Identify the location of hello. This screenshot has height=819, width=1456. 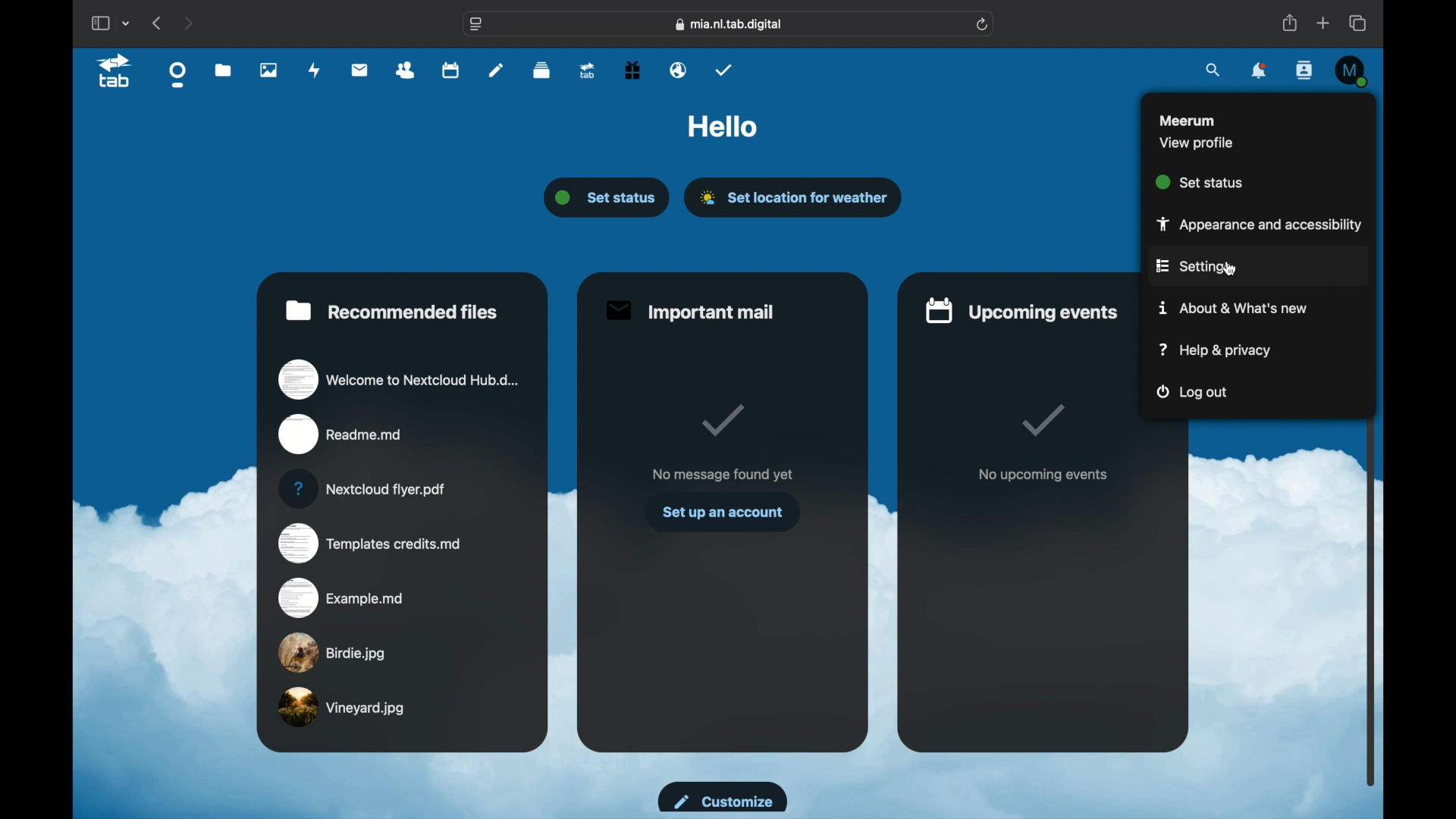
(723, 127).